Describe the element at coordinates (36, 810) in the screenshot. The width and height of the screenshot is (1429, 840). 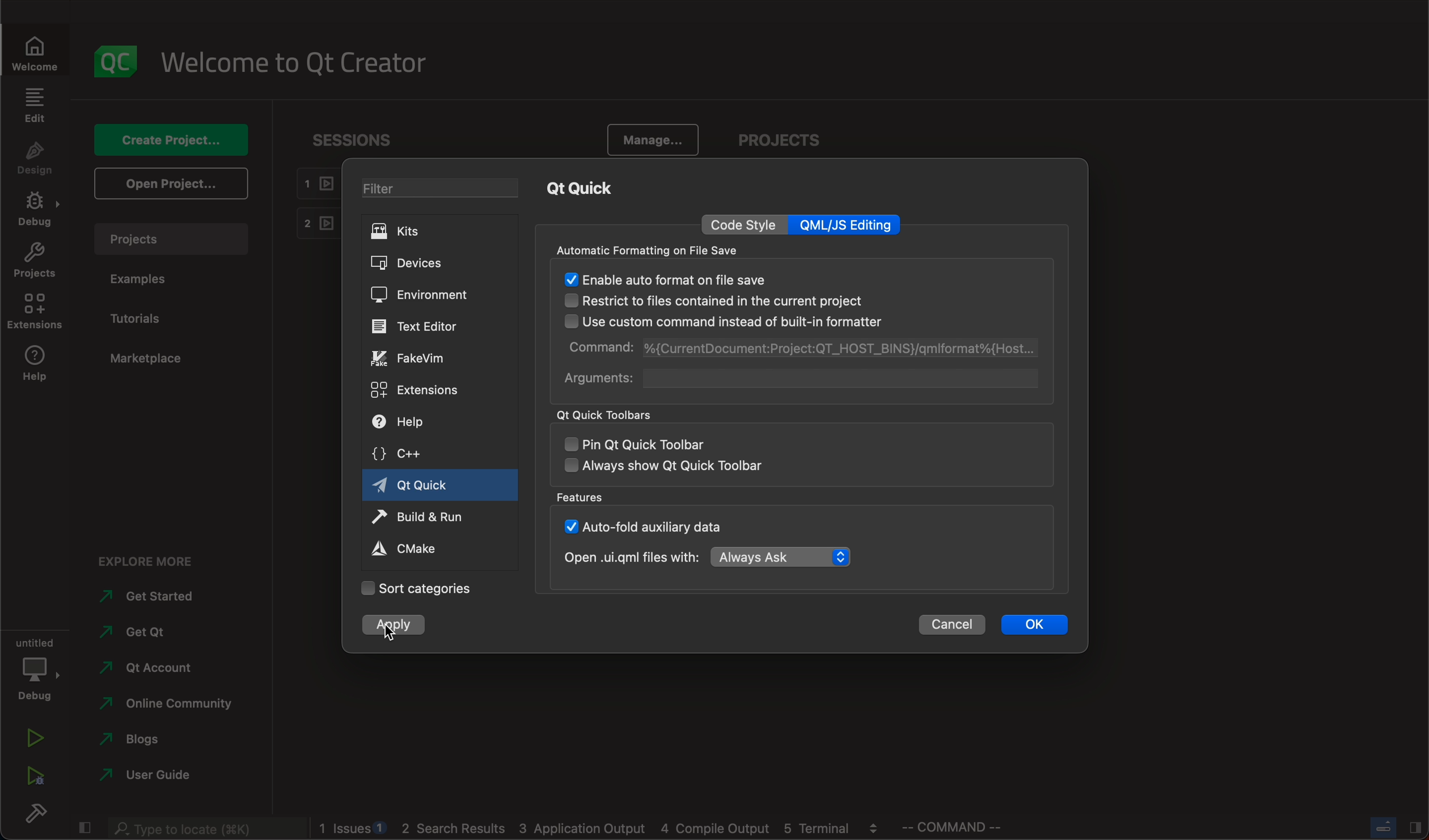
I see `build` at that location.